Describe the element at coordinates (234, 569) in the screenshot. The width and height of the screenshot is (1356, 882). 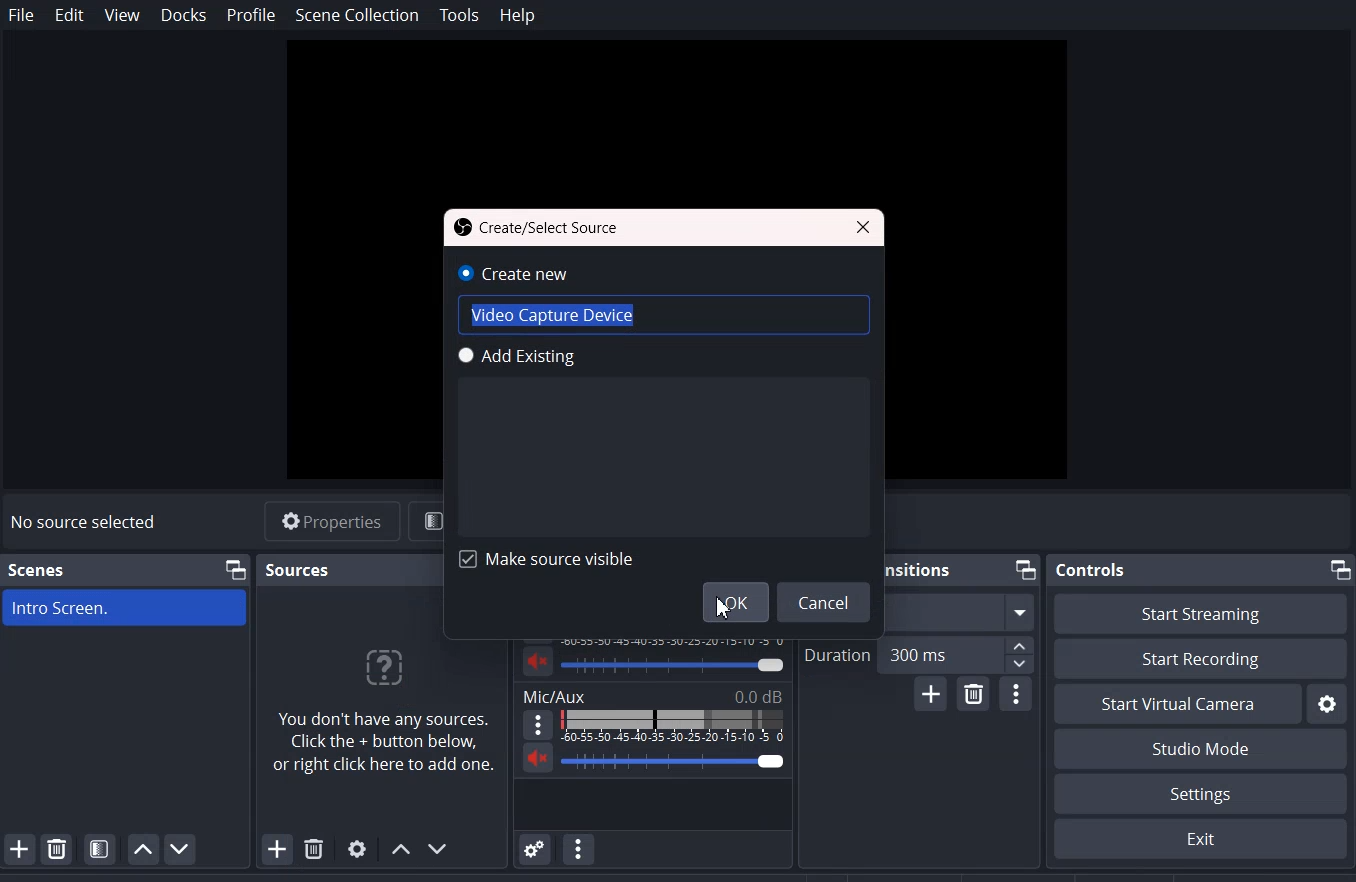
I see `Maximize` at that location.